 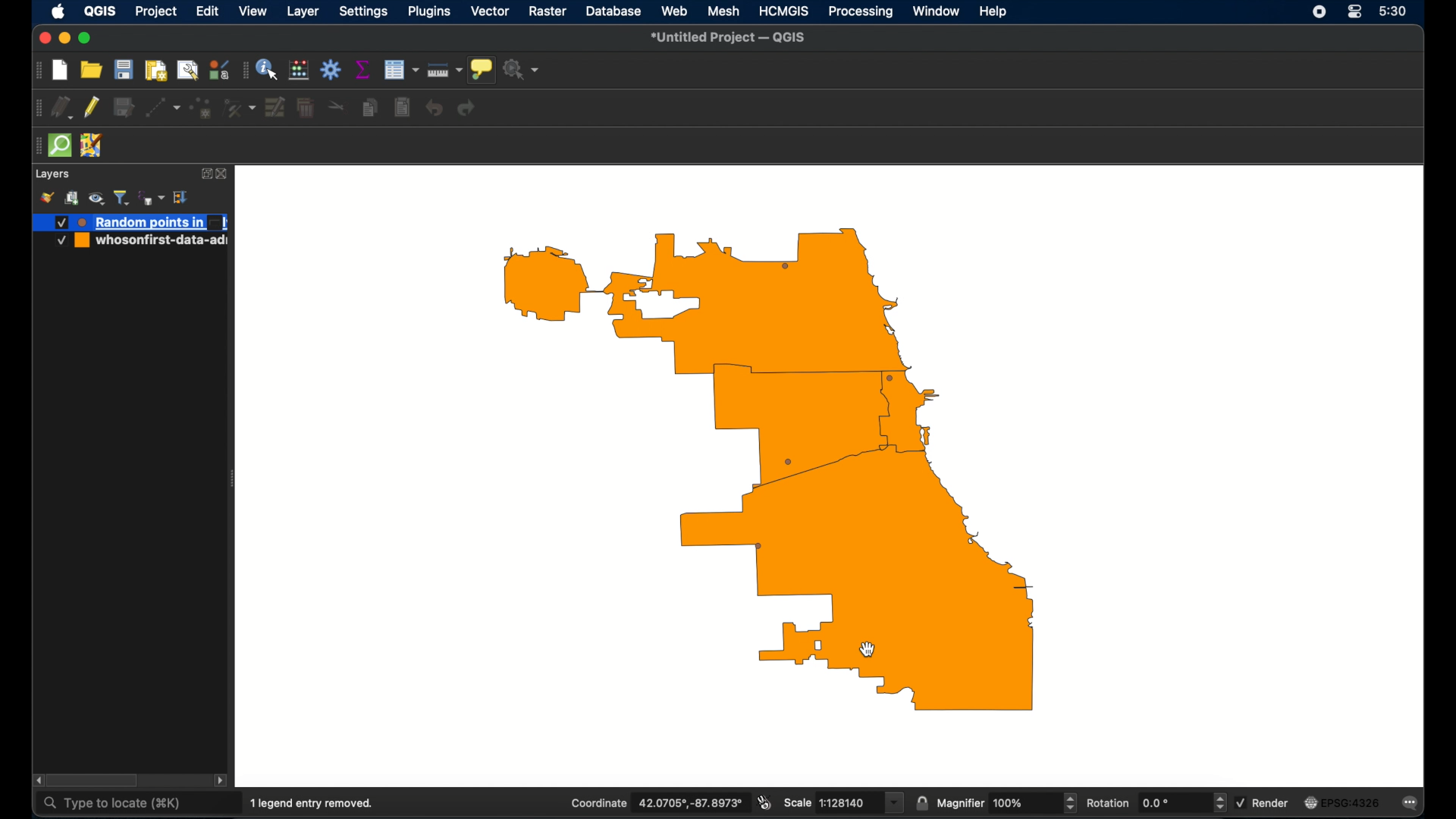 What do you see at coordinates (843, 802) in the screenshot?
I see `scale` at bounding box center [843, 802].